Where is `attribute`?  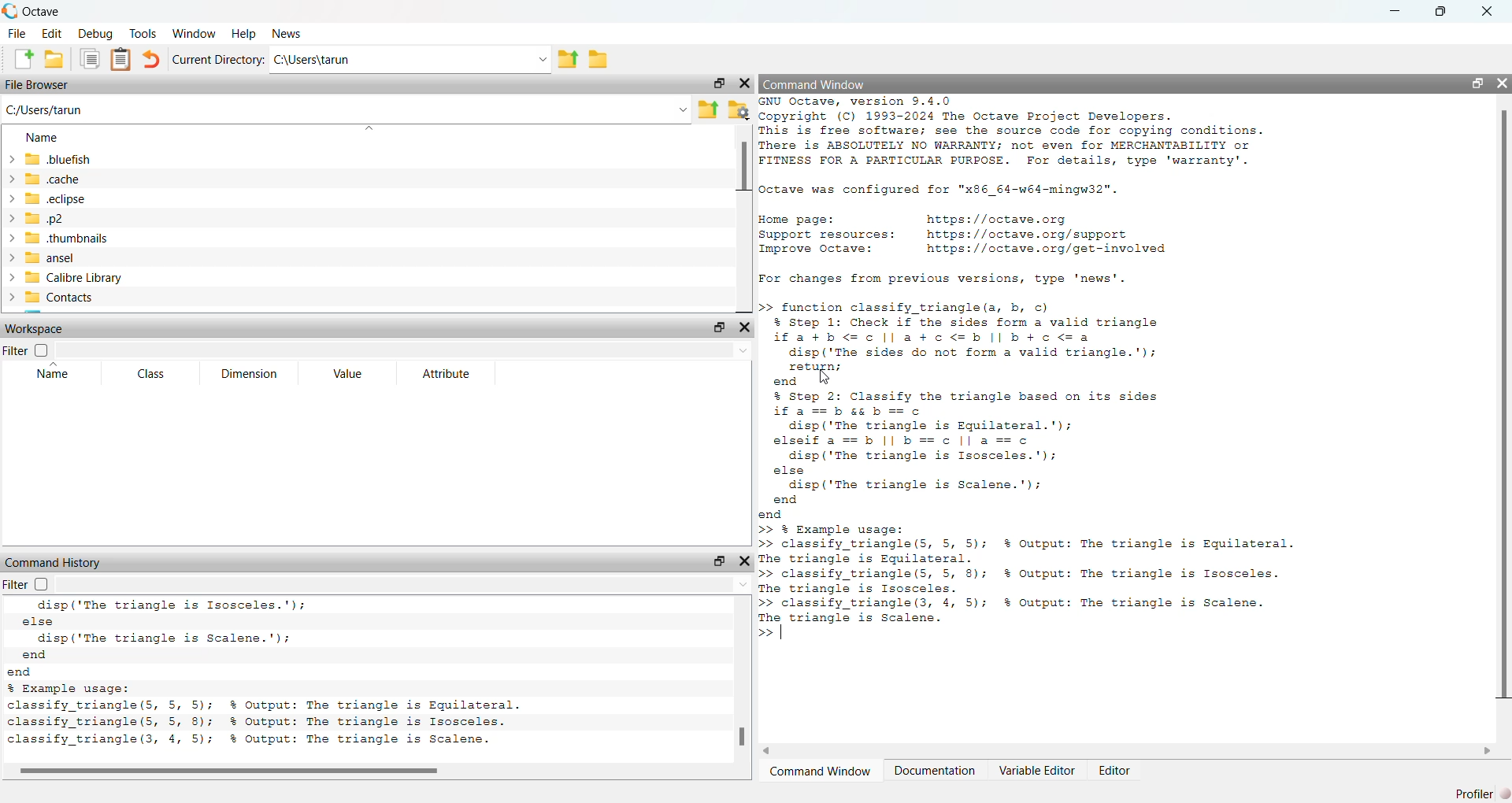
attribute is located at coordinates (444, 374).